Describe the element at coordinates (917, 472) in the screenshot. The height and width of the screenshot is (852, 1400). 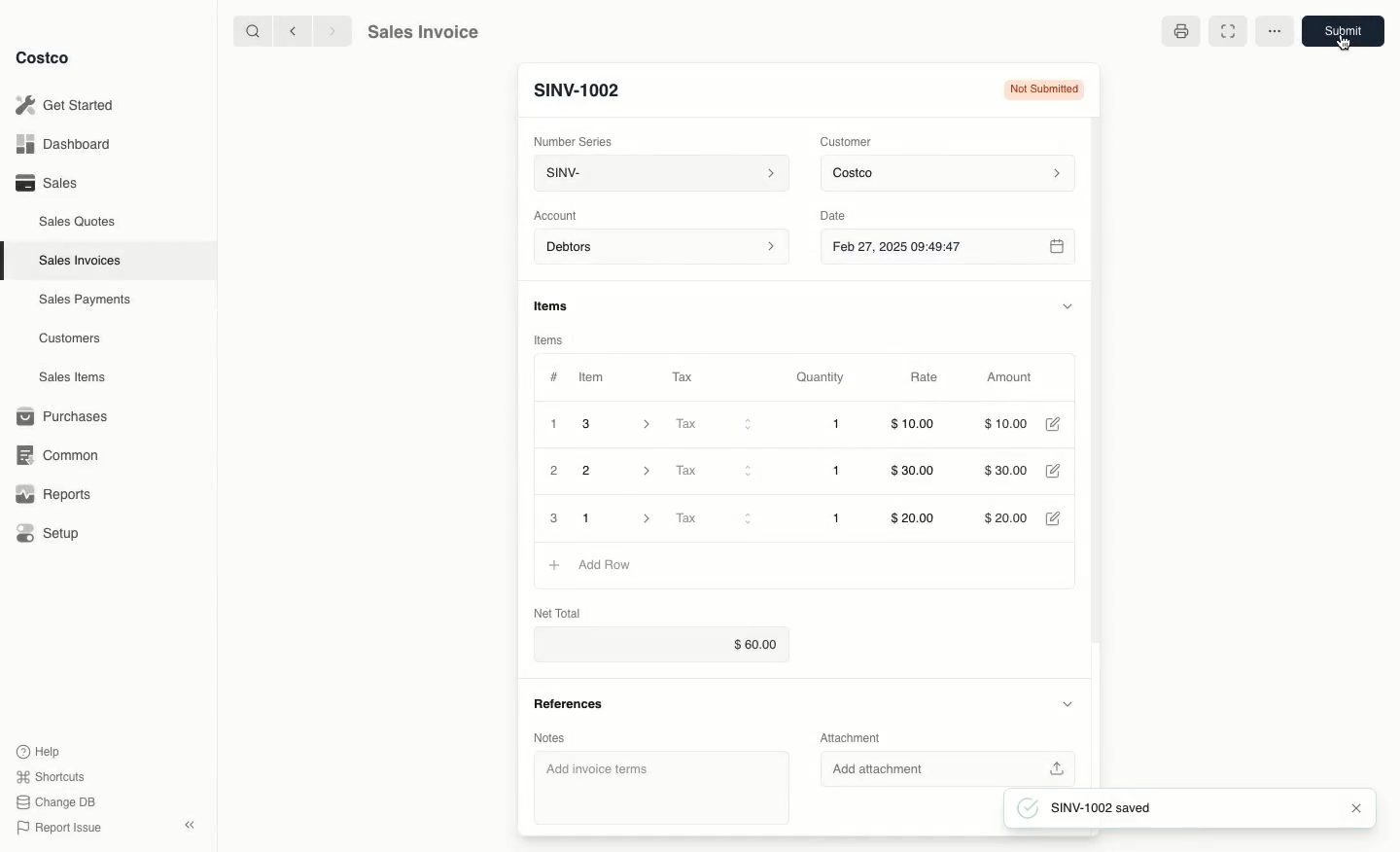
I see `$30.00` at that location.